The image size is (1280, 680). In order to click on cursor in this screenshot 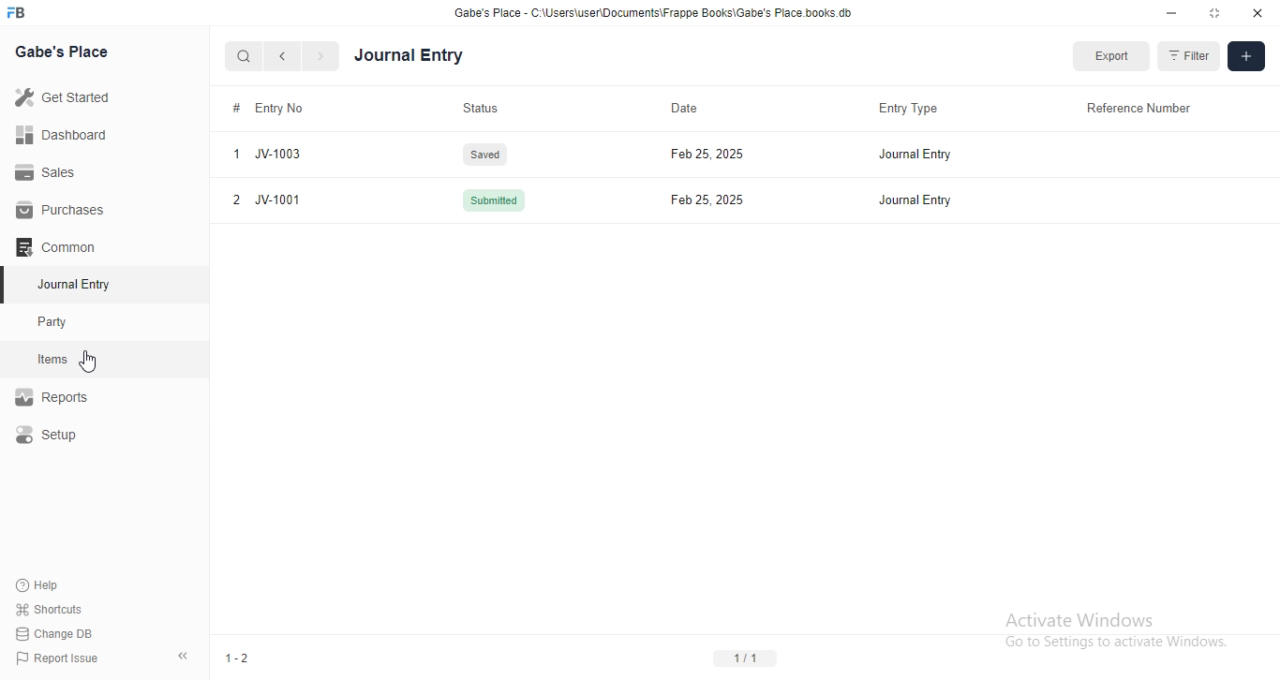, I will do `click(94, 365)`.